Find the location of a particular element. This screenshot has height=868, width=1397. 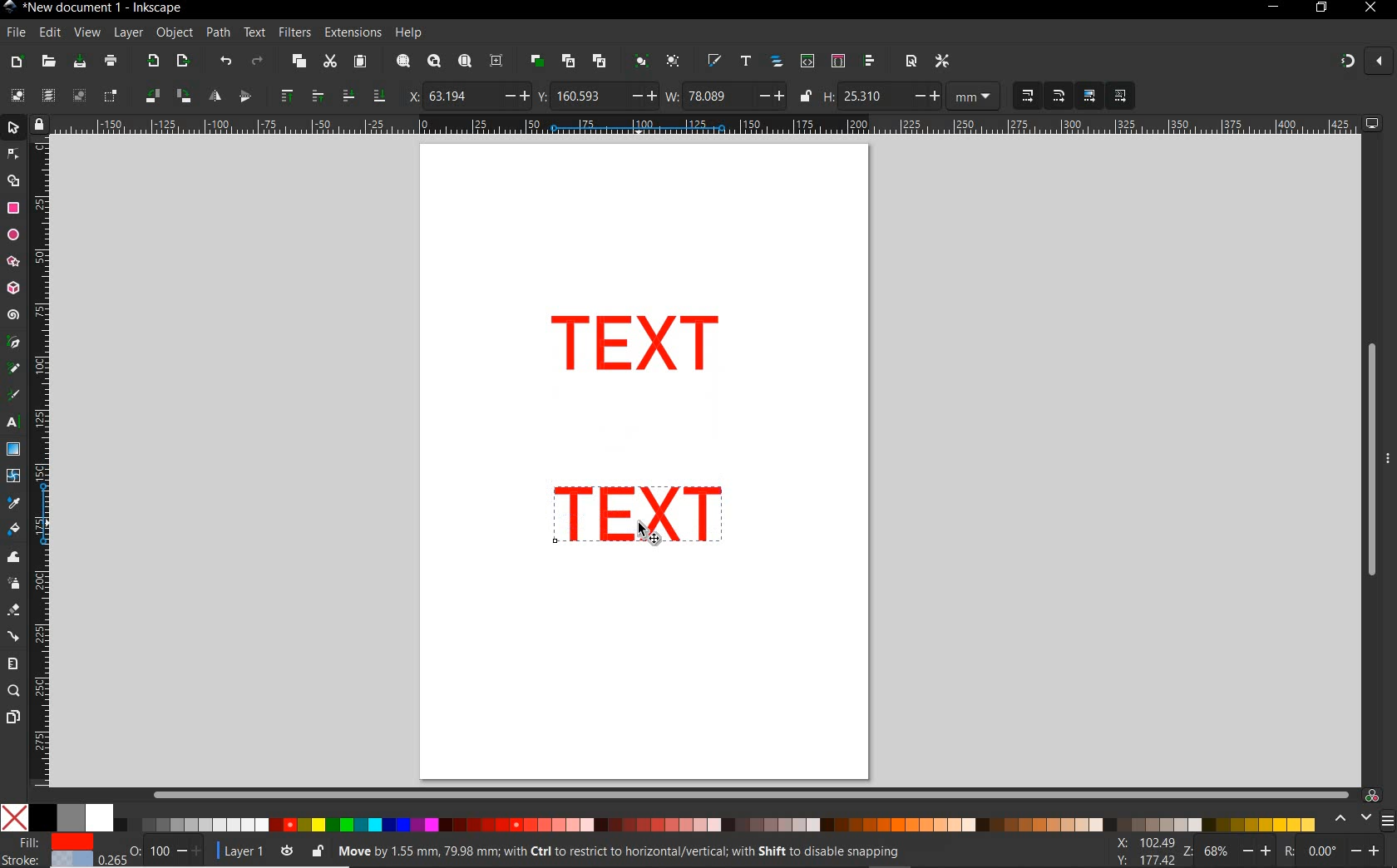

MEASUREMENT is located at coordinates (976, 96).